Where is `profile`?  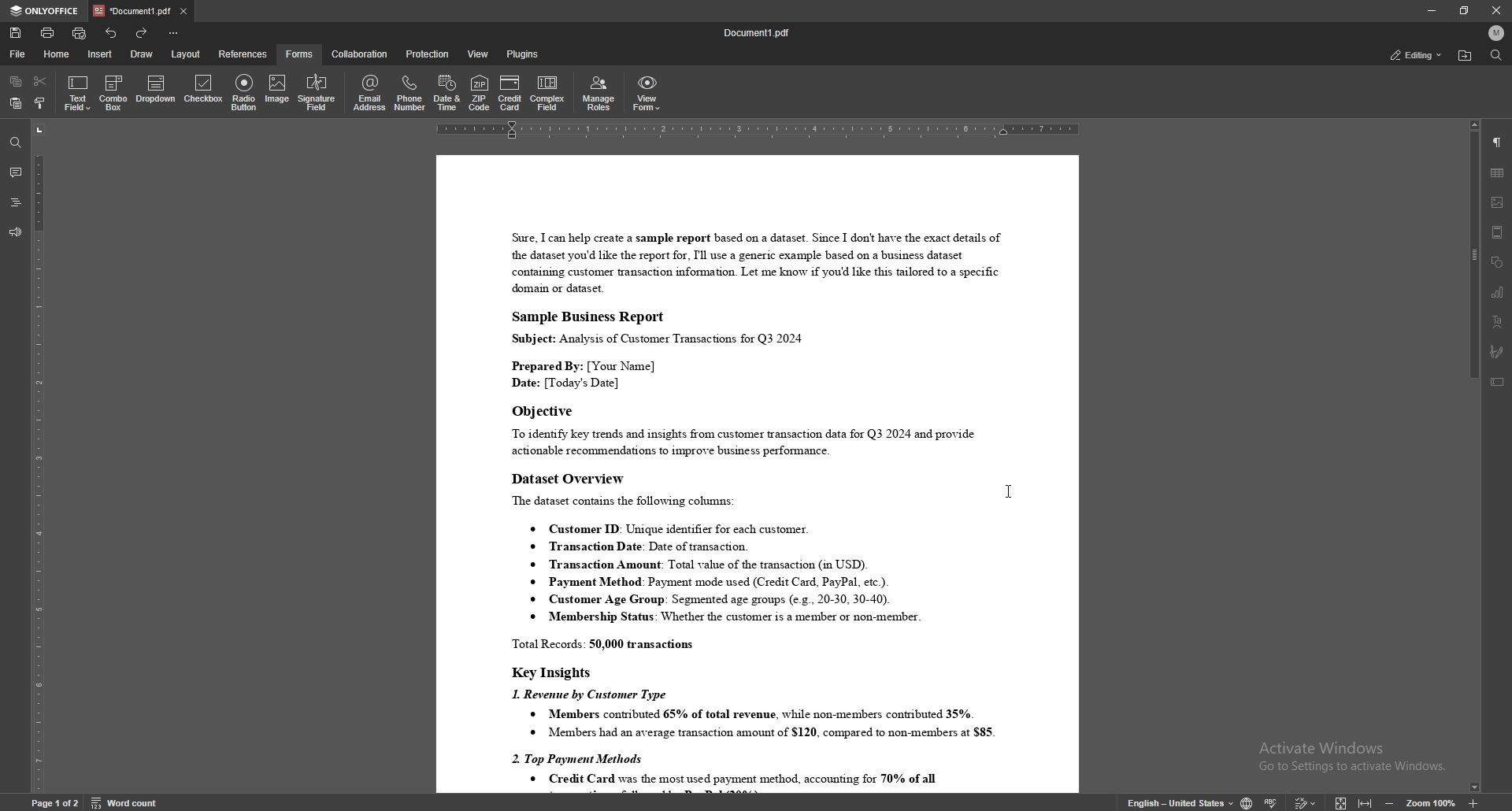 profile is located at coordinates (1496, 32).